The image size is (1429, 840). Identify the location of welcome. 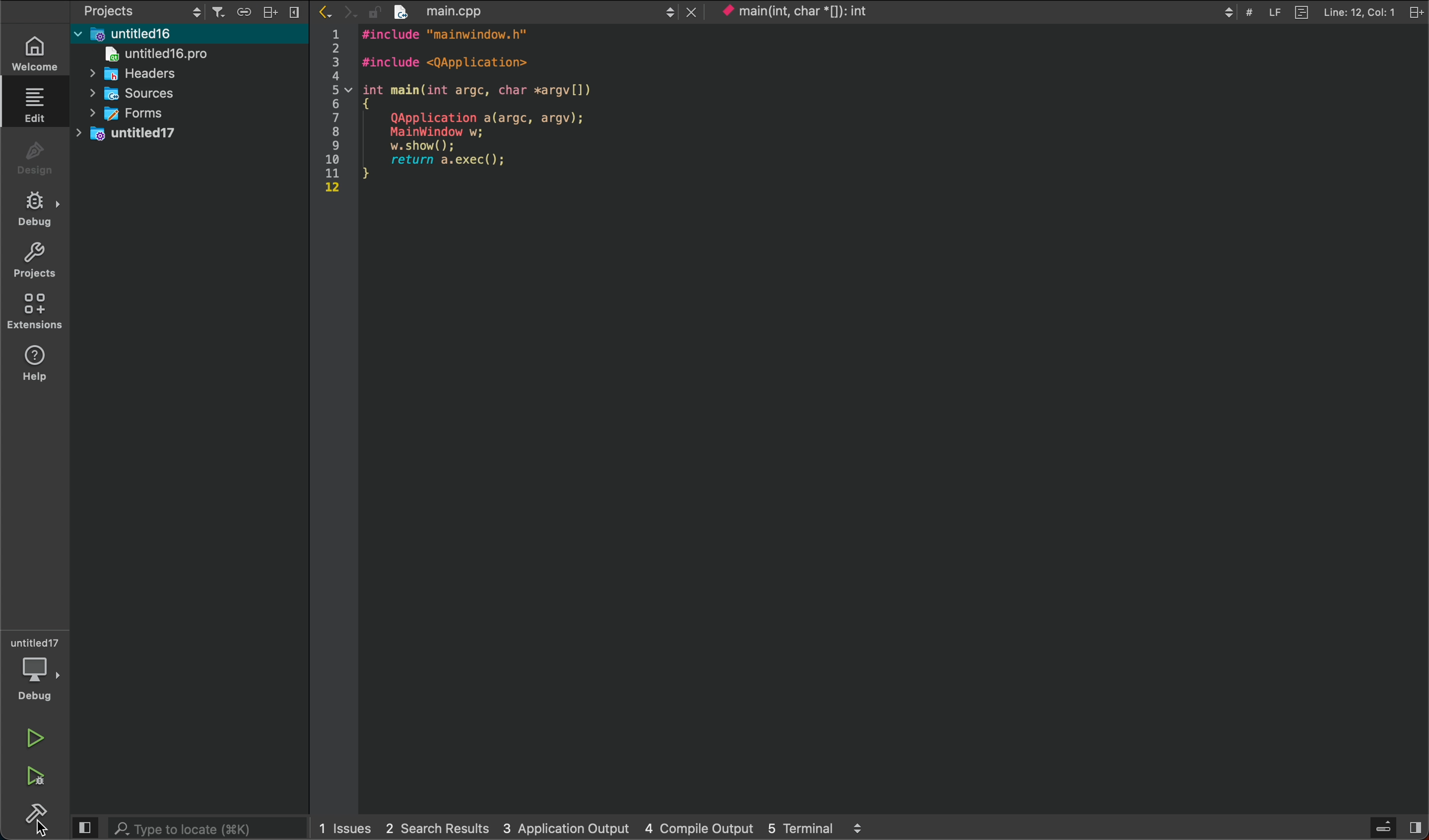
(33, 54).